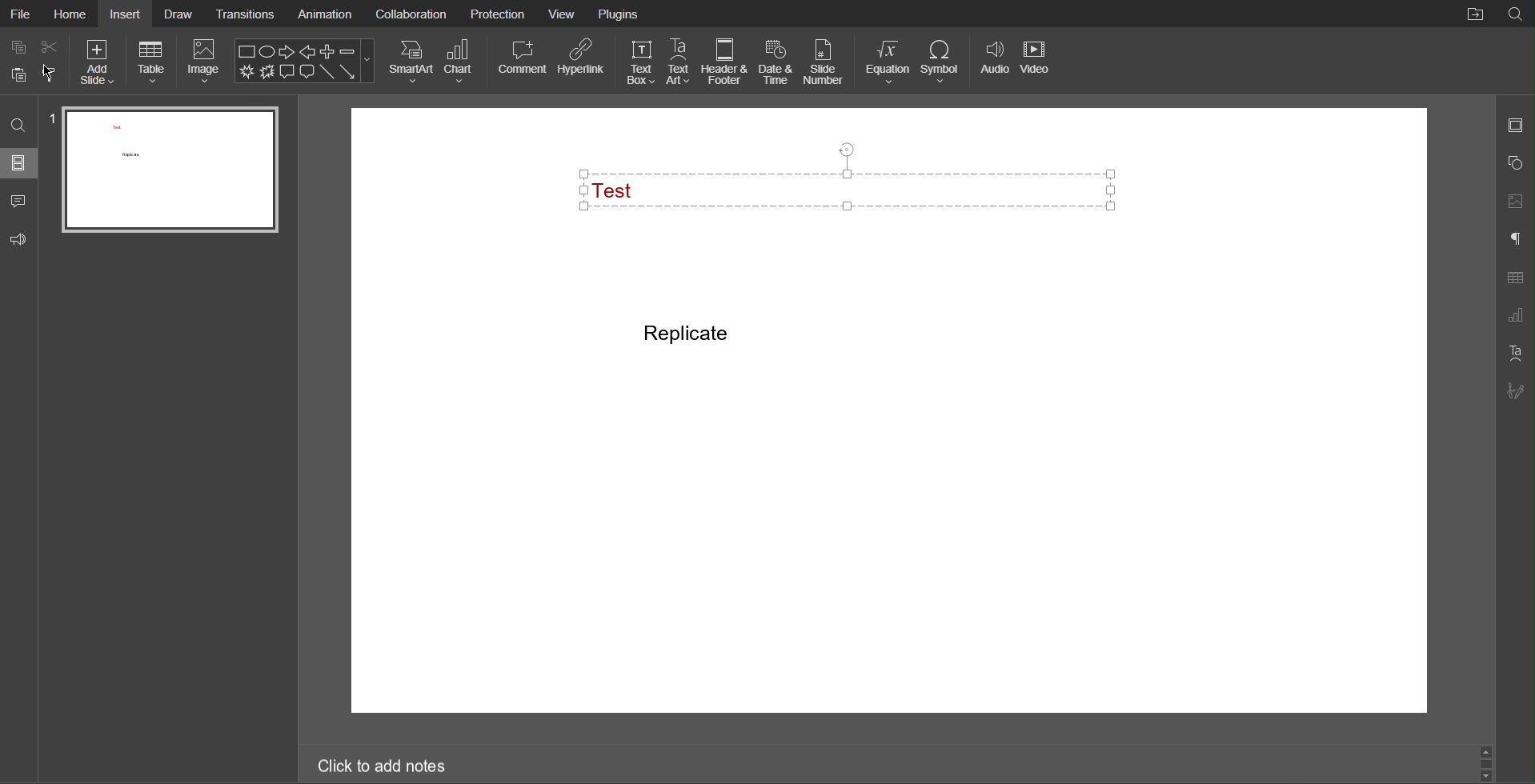 The width and height of the screenshot is (1535, 784). Describe the element at coordinates (21, 13) in the screenshot. I see `File` at that location.